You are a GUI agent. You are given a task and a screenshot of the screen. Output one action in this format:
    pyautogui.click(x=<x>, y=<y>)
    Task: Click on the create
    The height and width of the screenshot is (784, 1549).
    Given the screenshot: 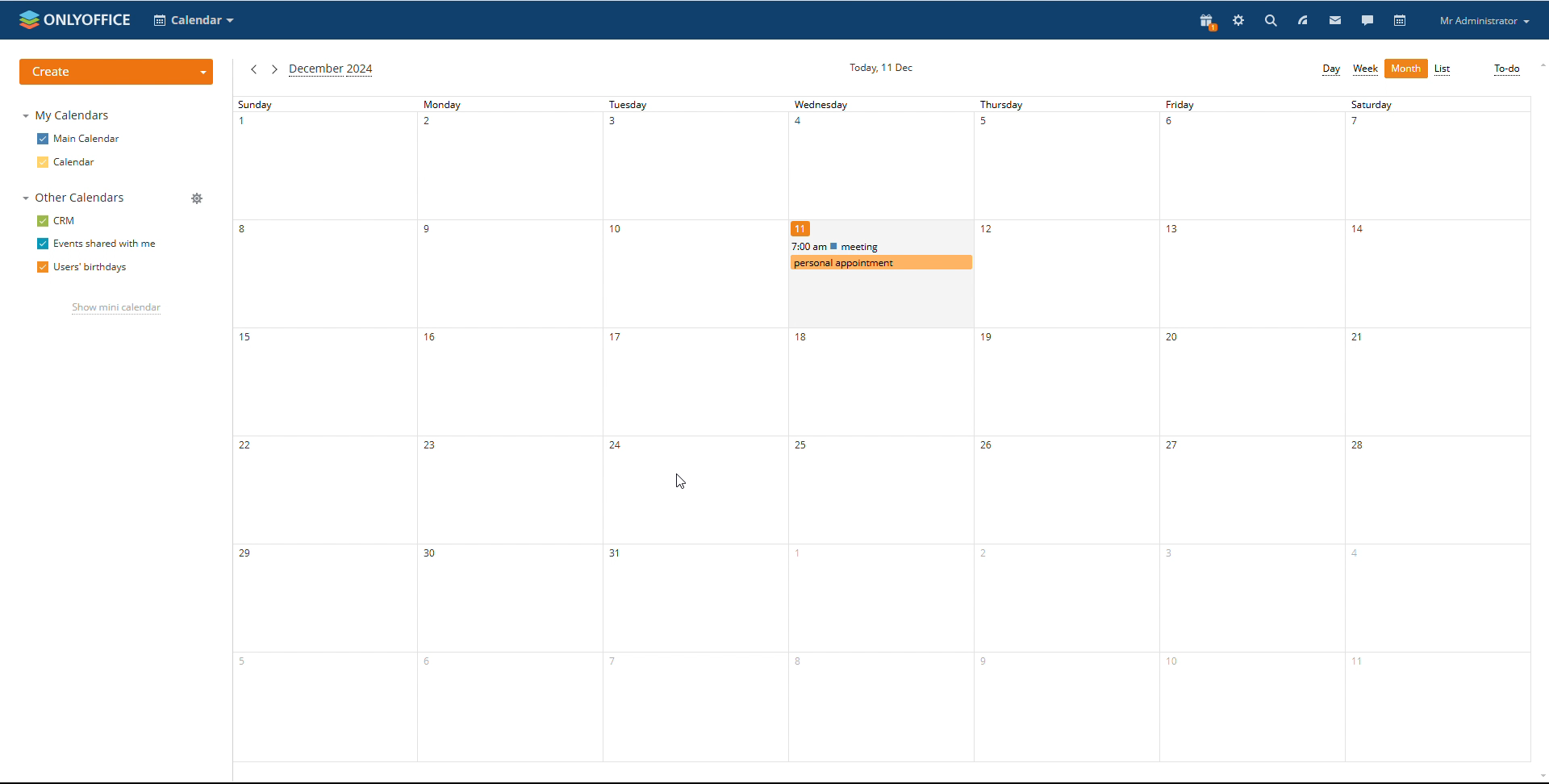 What is the action you would take?
    pyautogui.click(x=116, y=72)
    